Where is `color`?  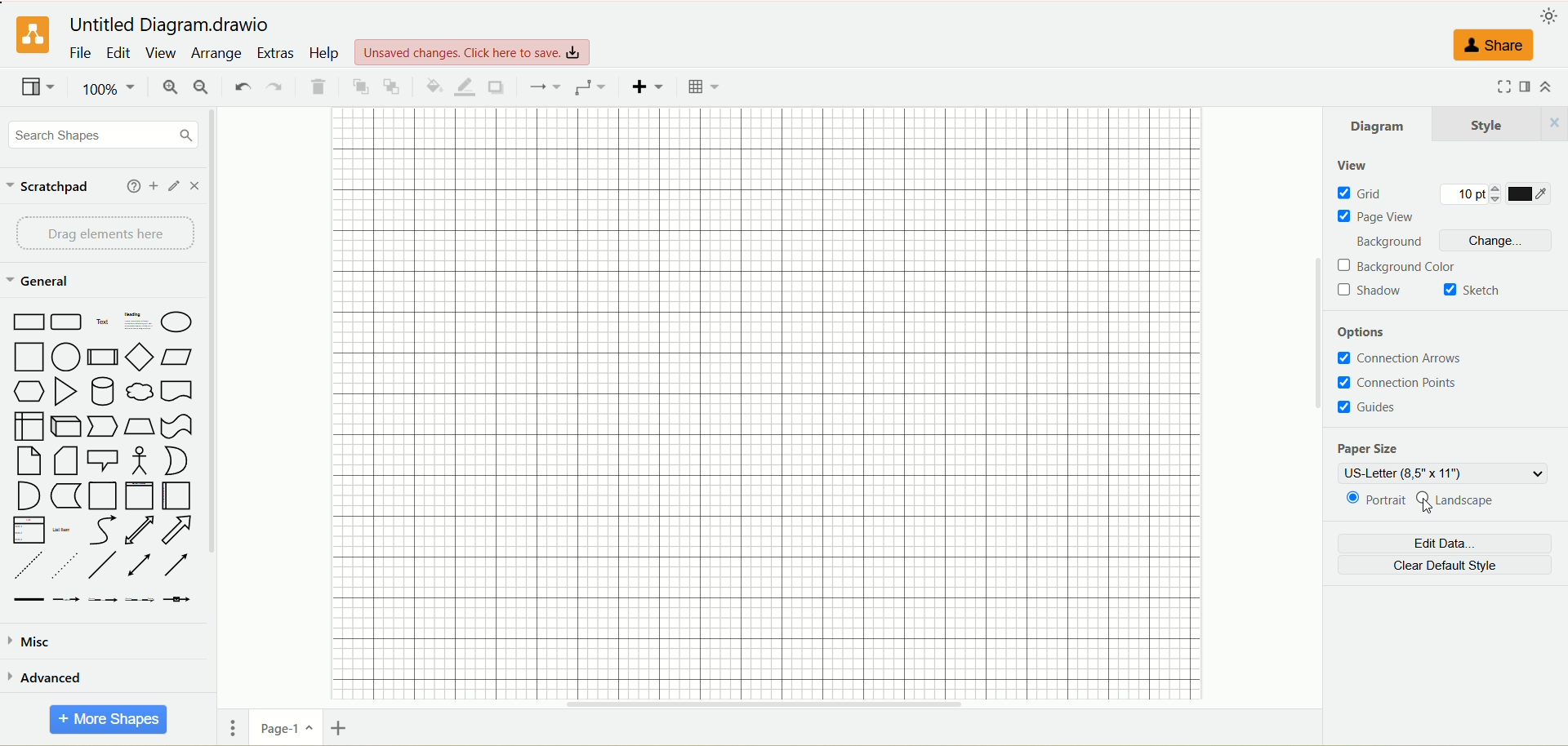 color is located at coordinates (1531, 194).